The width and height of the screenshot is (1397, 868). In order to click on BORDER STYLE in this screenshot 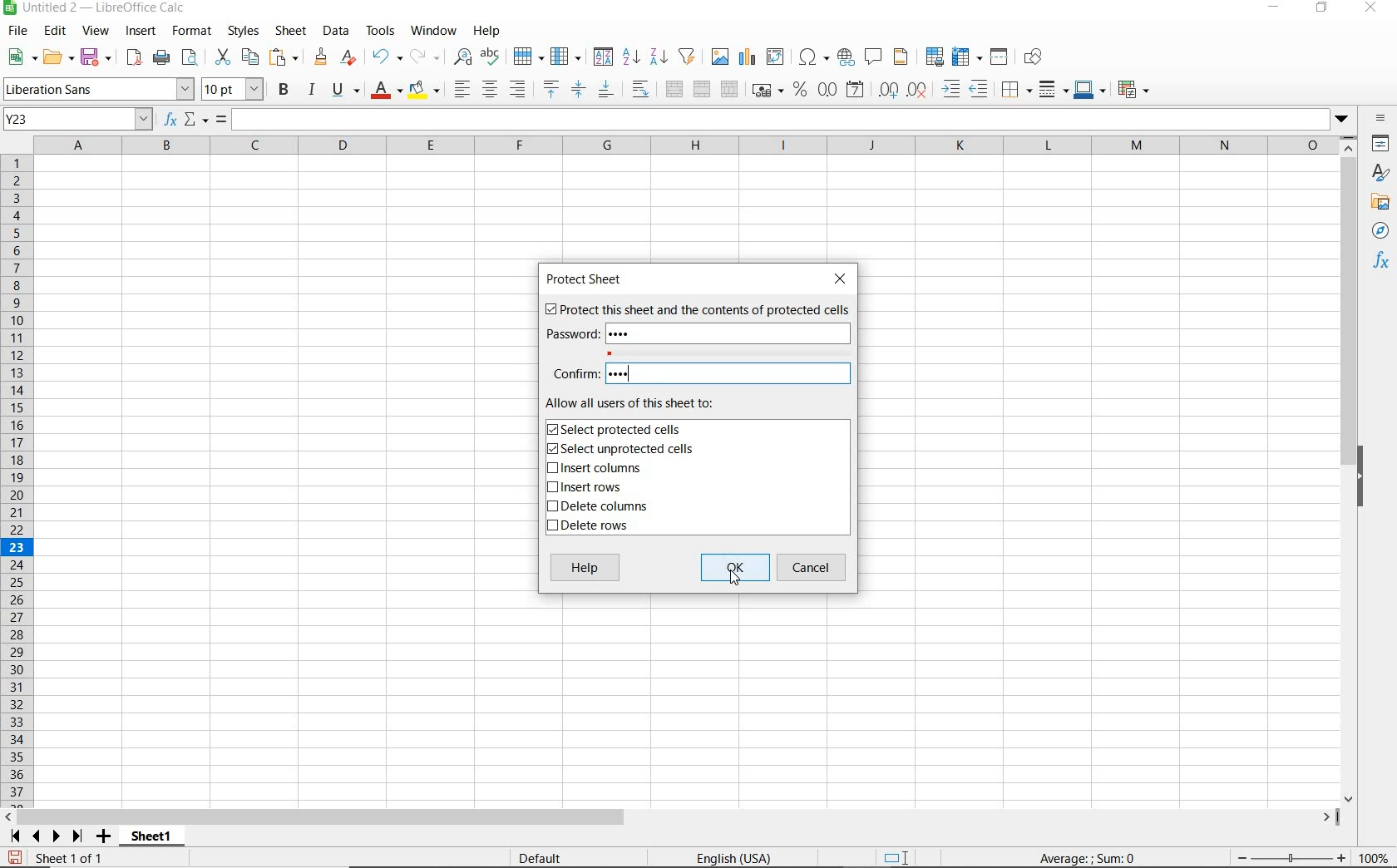, I will do `click(1051, 89)`.